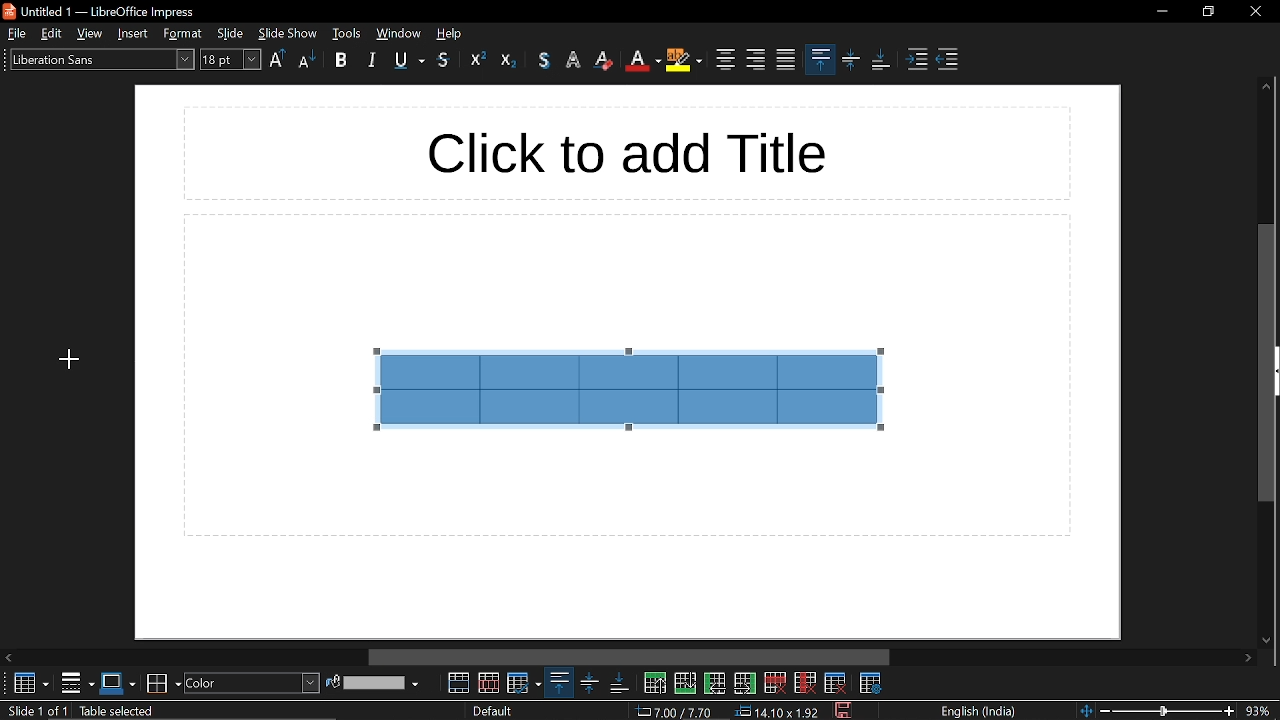  Describe the element at coordinates (686, 682) in the screenshot. I see `insert row below` at that location.